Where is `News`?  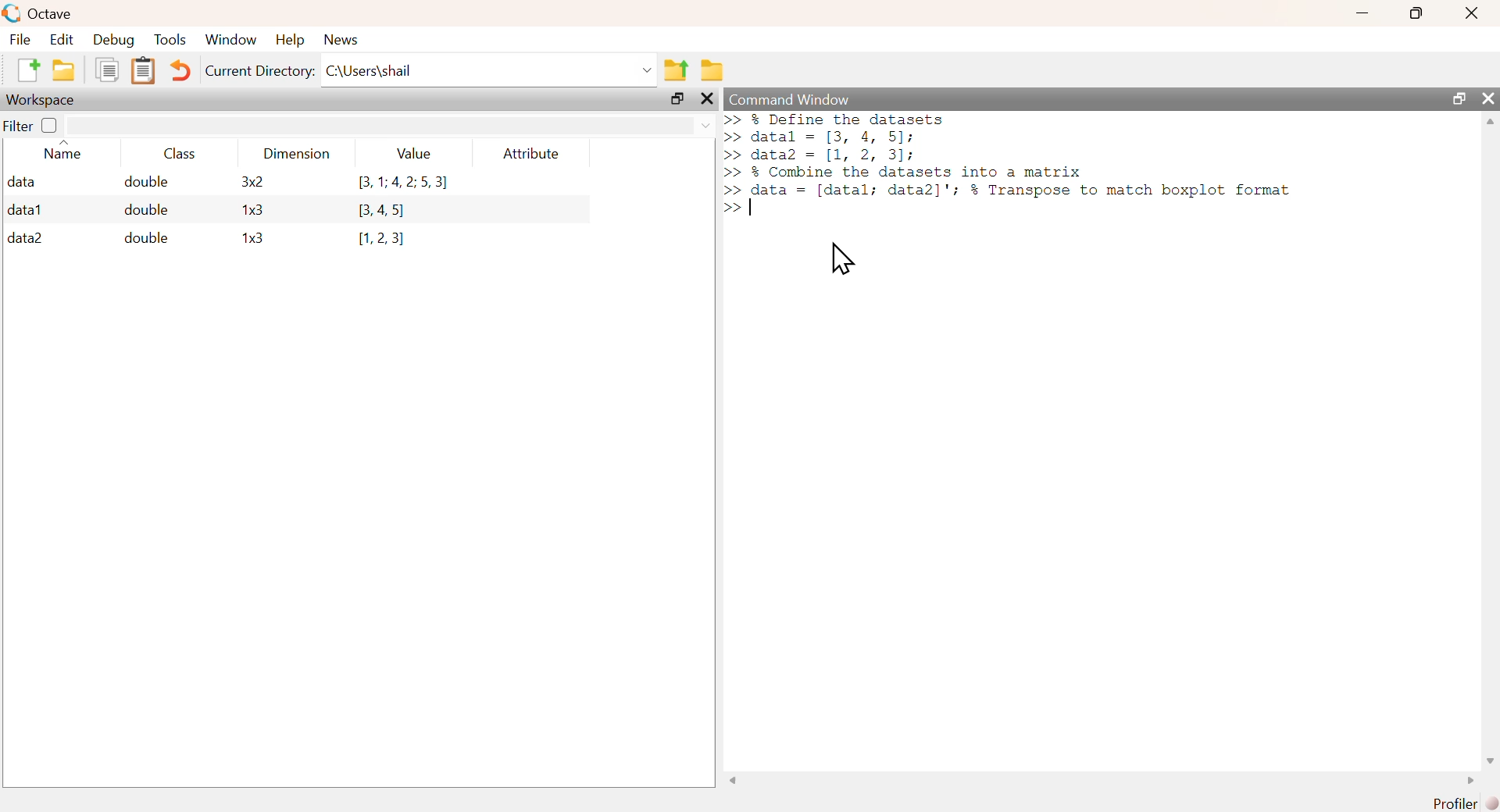
News is located at coordinates (342, 39).